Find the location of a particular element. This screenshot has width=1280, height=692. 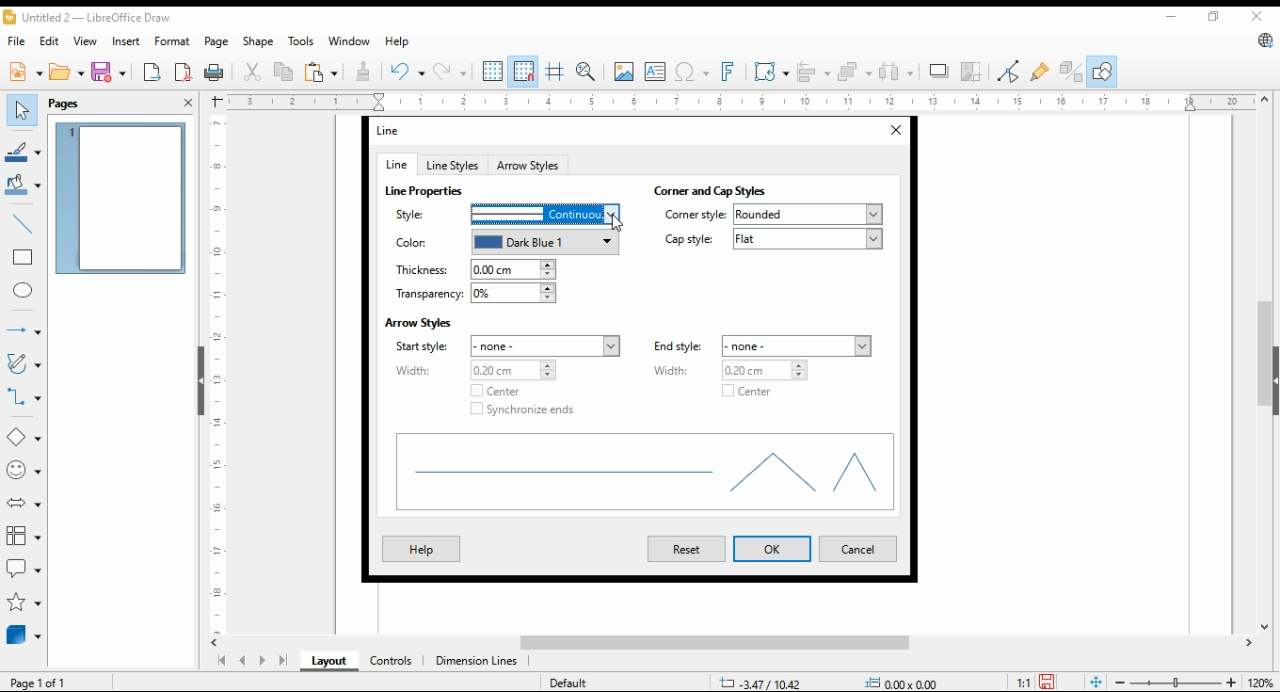

scroll bar is located at coordinates (1264, 363).